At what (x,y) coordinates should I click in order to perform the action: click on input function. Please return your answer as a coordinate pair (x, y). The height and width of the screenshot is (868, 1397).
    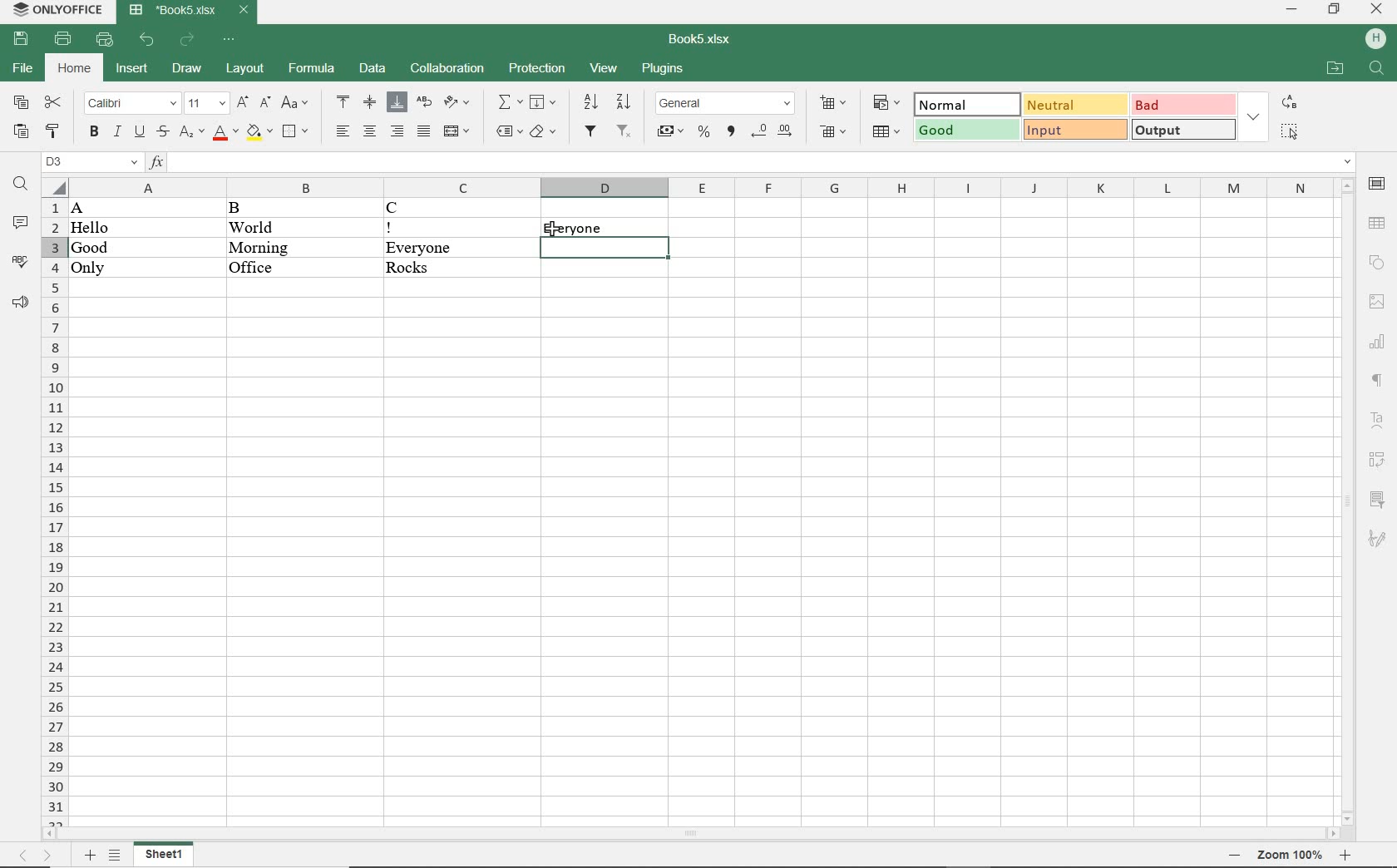
    Looking at the image, I should click on (753, 163).